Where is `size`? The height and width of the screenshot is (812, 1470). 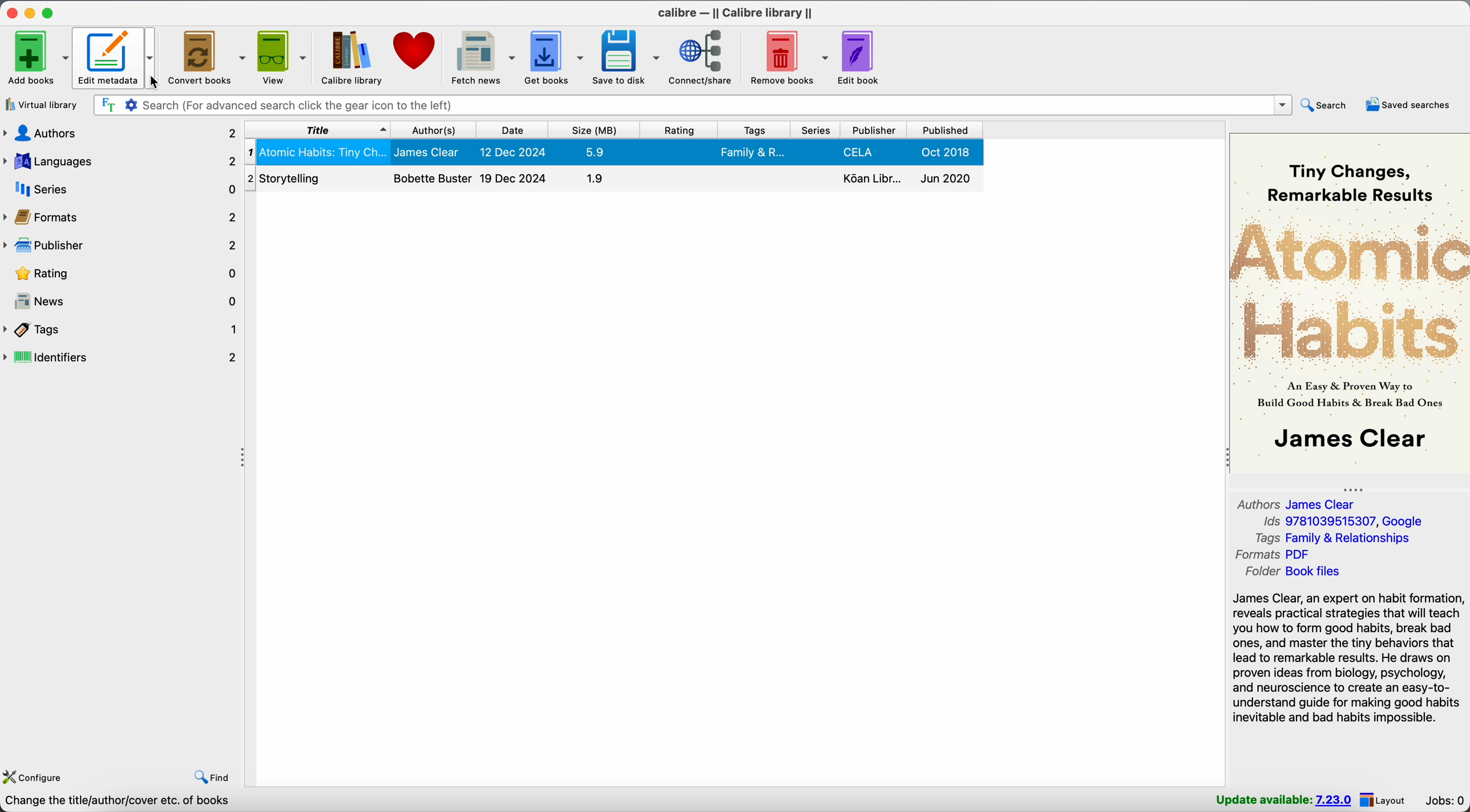
size is located at coordinates (595, 130).